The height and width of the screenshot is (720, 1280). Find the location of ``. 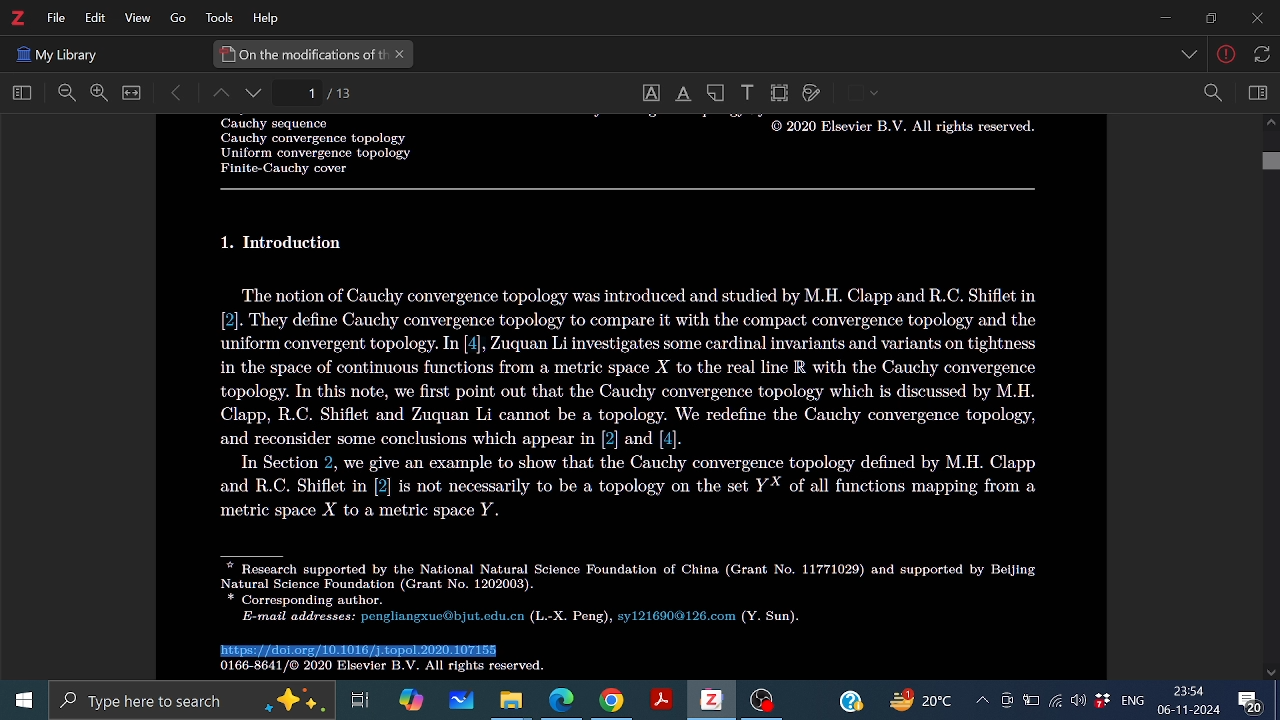

 is located at coordinates (875, 94).